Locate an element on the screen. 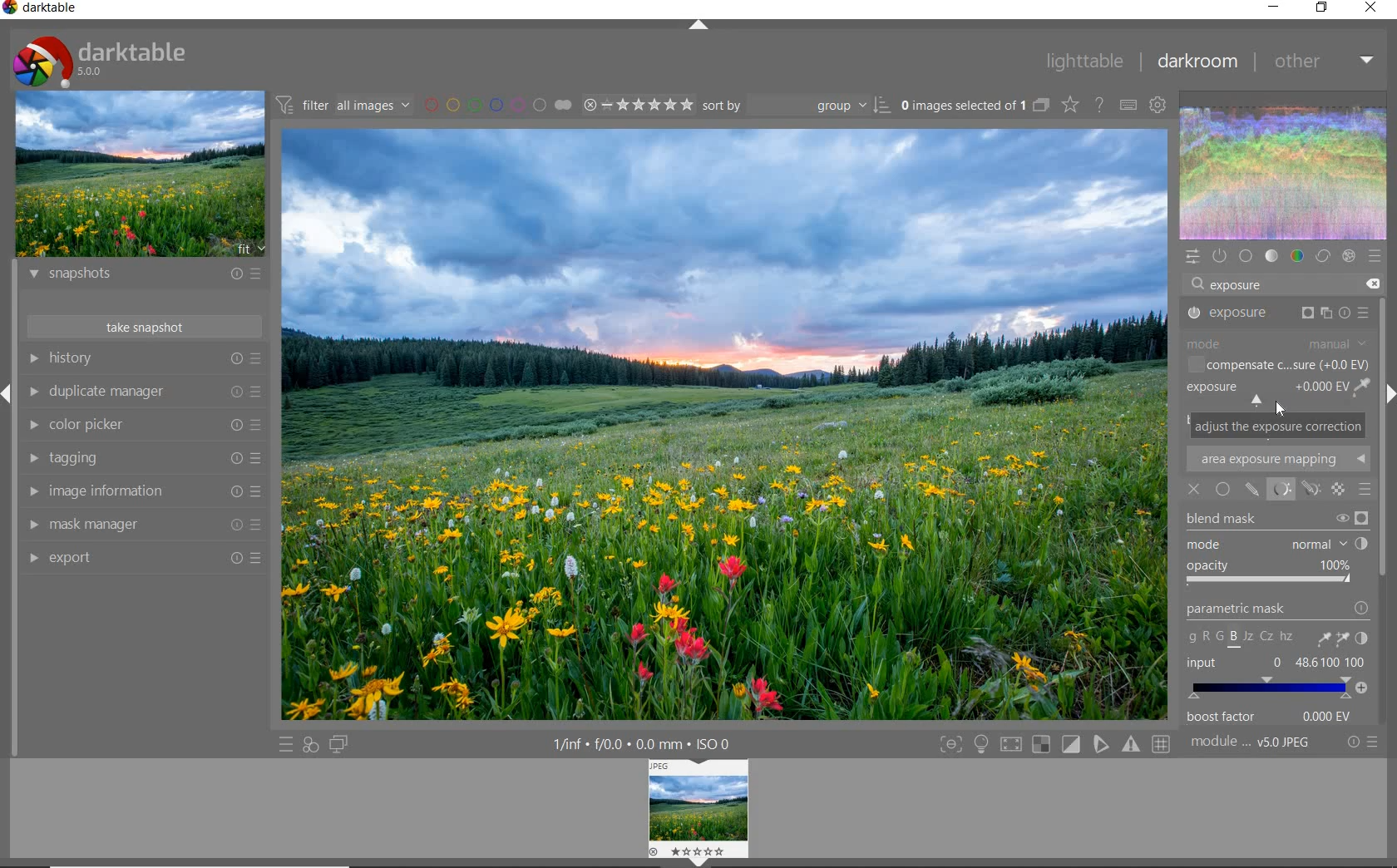 The height and width of the screenshot is (868, 1397). export is located at coordinates (146, 559).